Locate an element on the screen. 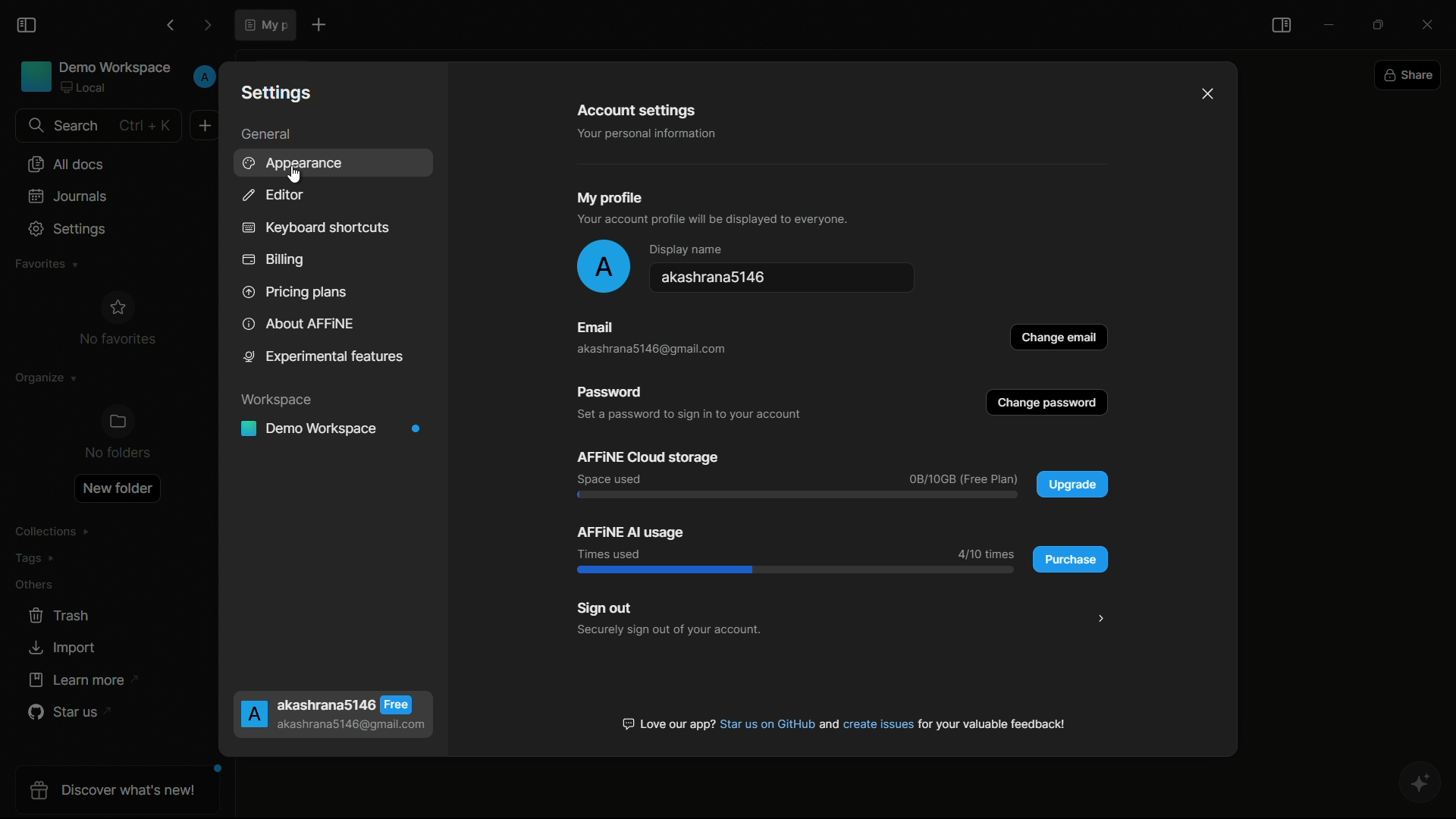 This screenshot has height=819, width=1456. new document is located at coordinates (317, 24).